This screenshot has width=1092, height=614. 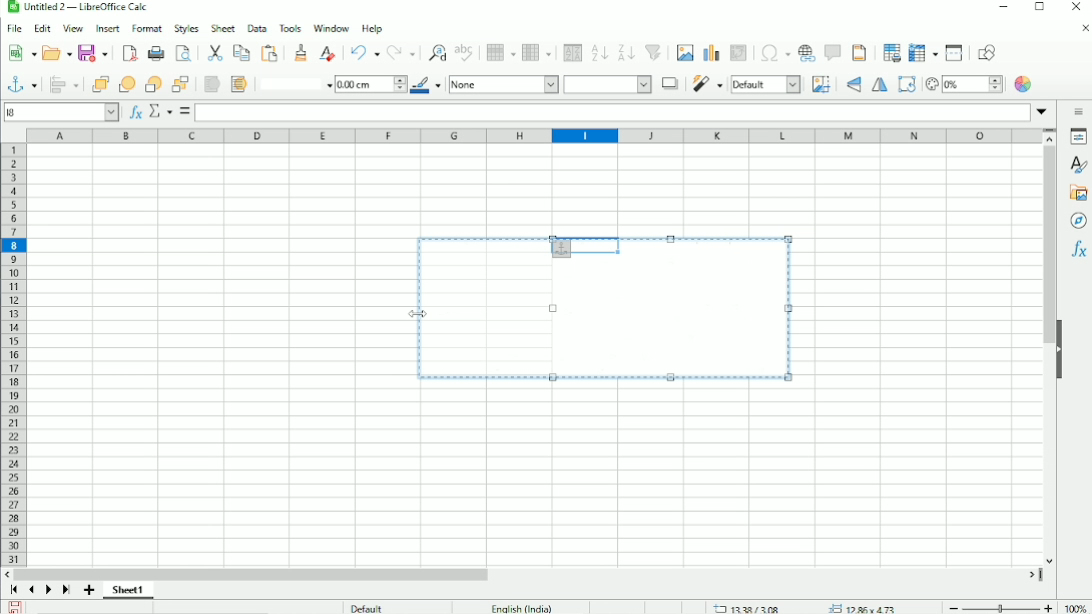 What do you see at coordinates (1045, 111) in the screenshot?
I see `Expand formula bar` at bounding box center [1045, 111].